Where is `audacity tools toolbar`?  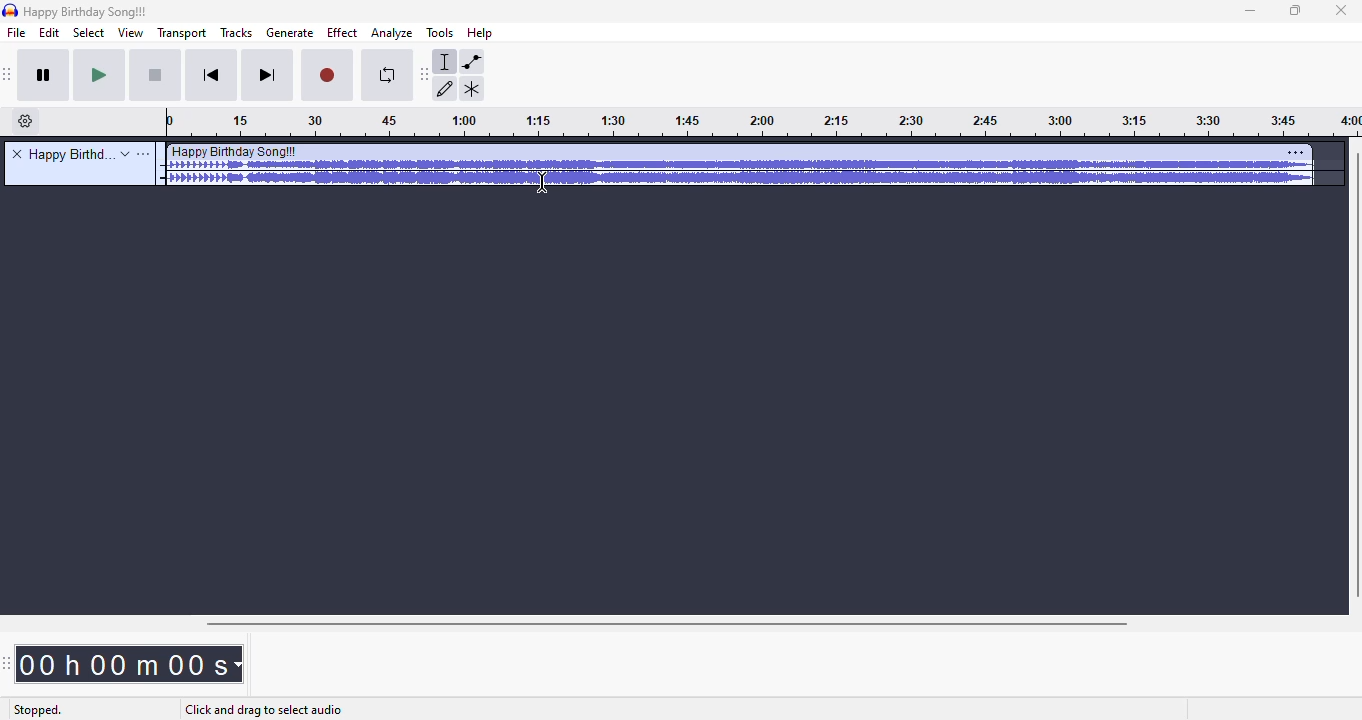
audacity tools toolbar is located at coordinates (424, 75).